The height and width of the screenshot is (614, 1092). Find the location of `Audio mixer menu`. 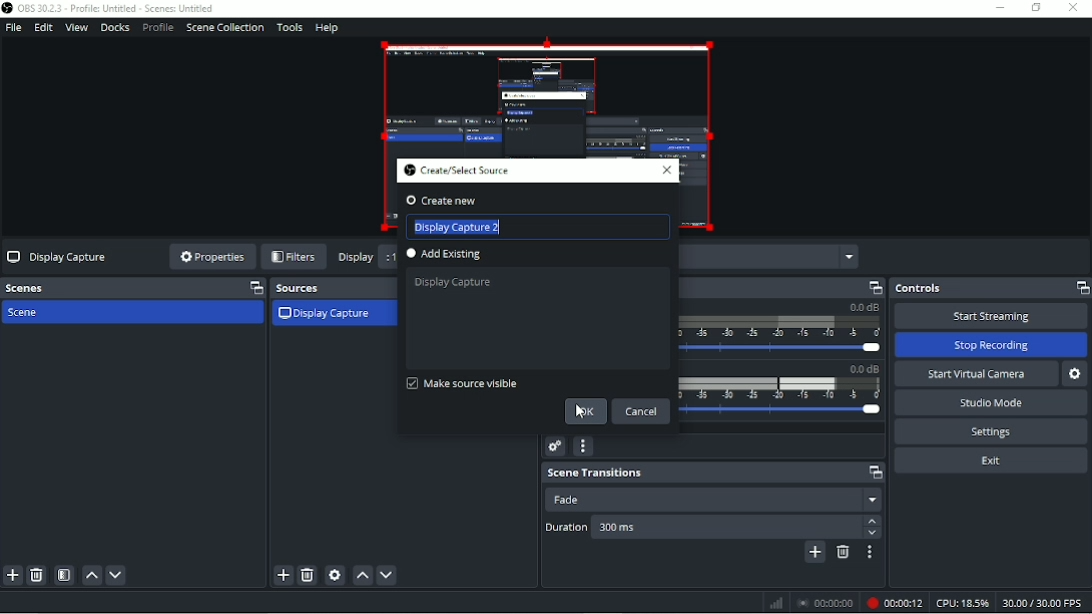

Audio mixer menu is located at coordinates (582, 446).